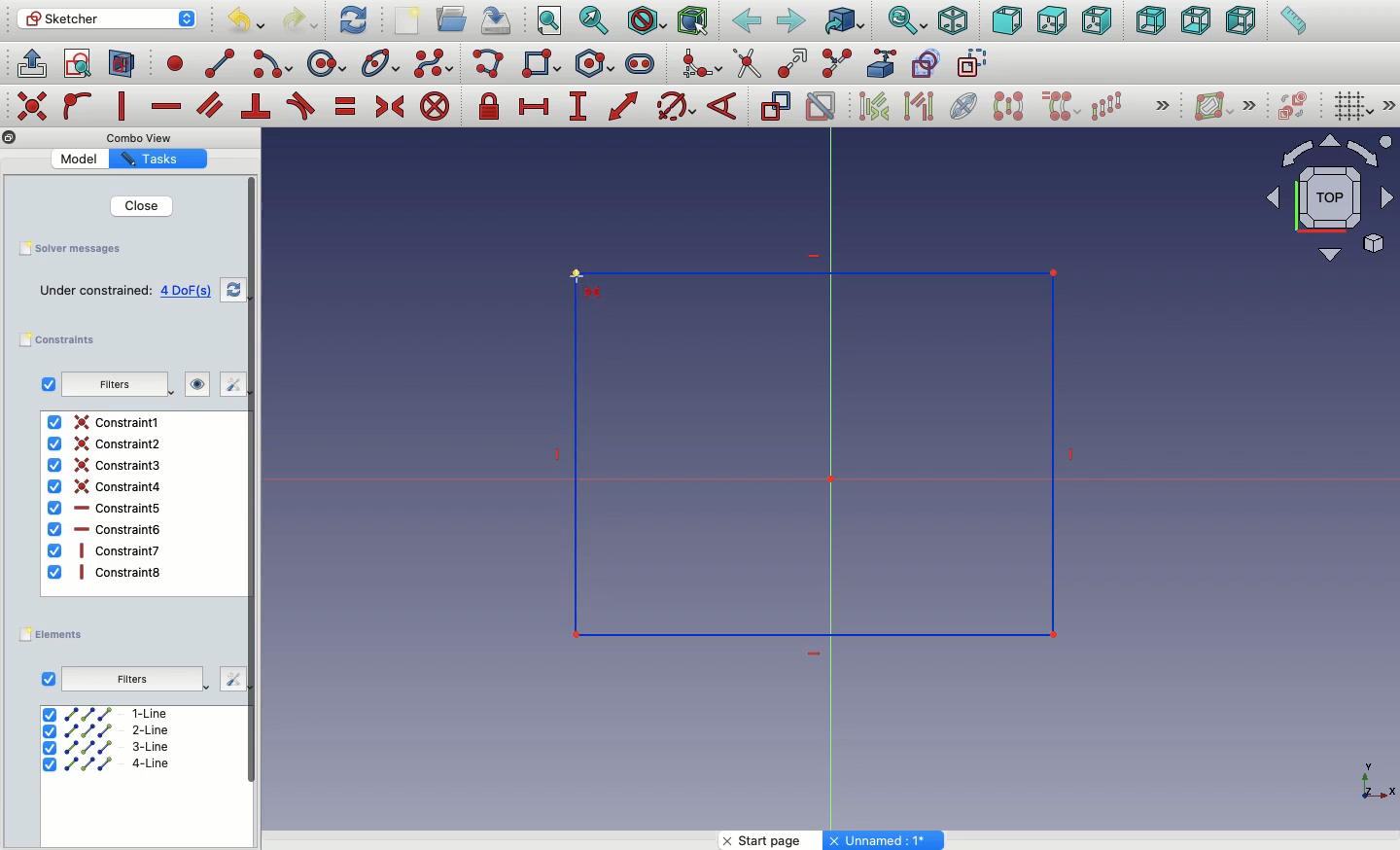 The image size is (1400, 850). Describe the element at coordinates (700, 65) in the screenshot. I see `Create fillet` at that location.